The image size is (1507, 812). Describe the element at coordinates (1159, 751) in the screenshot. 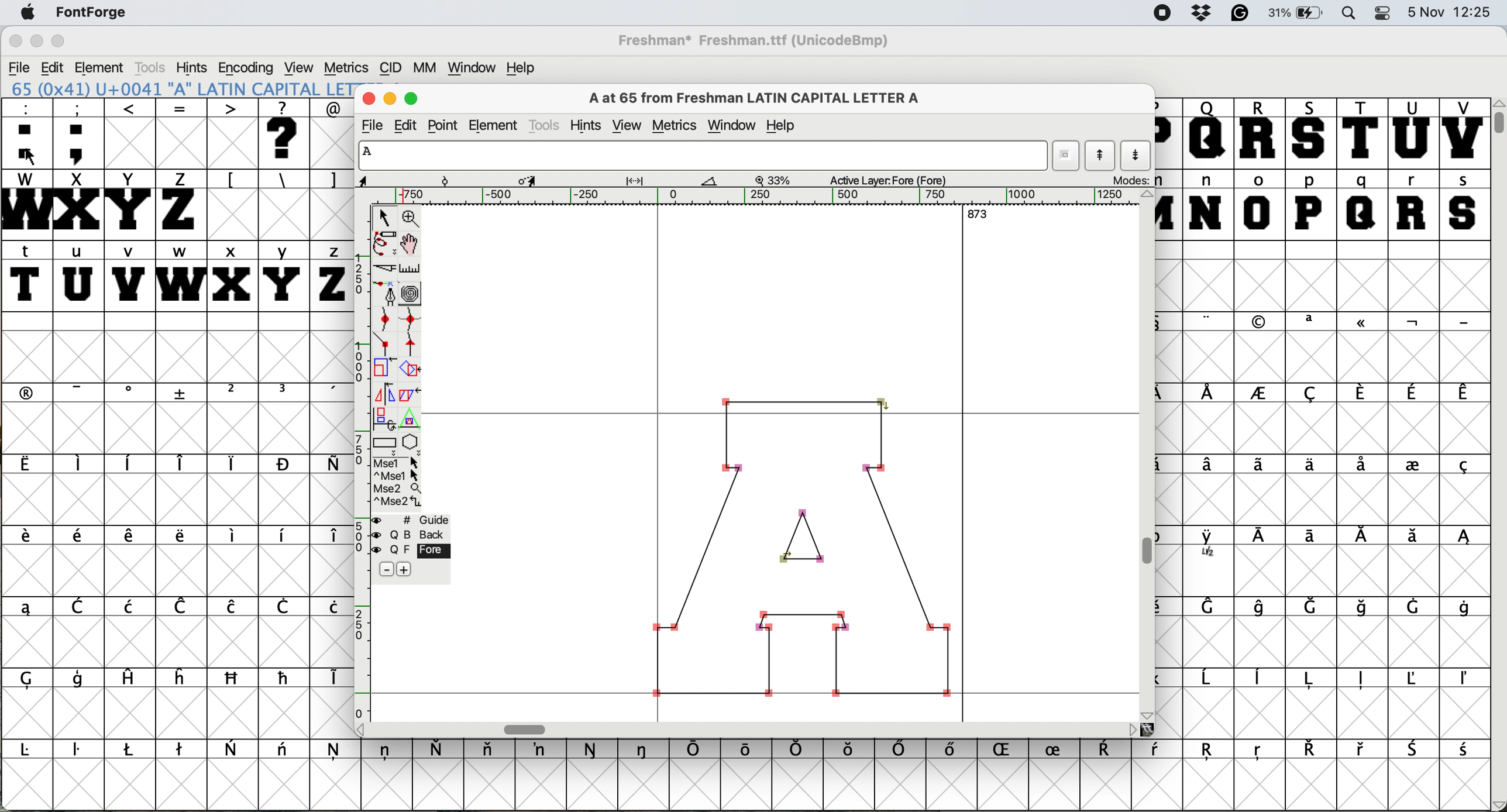

I see `symbol` at that location.